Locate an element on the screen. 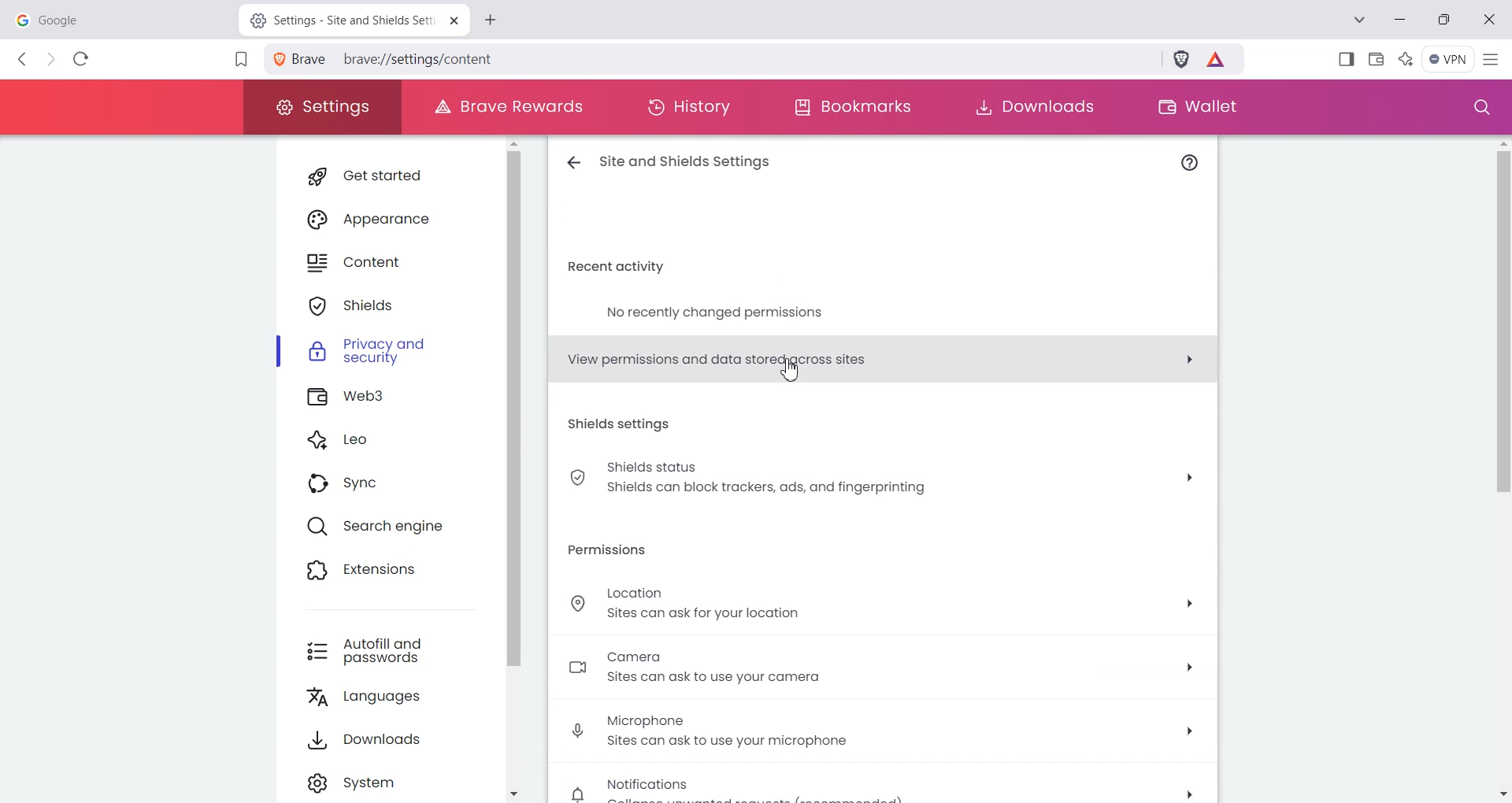 The image size is (1512, 803).  is located at coordinates (1448, 59).